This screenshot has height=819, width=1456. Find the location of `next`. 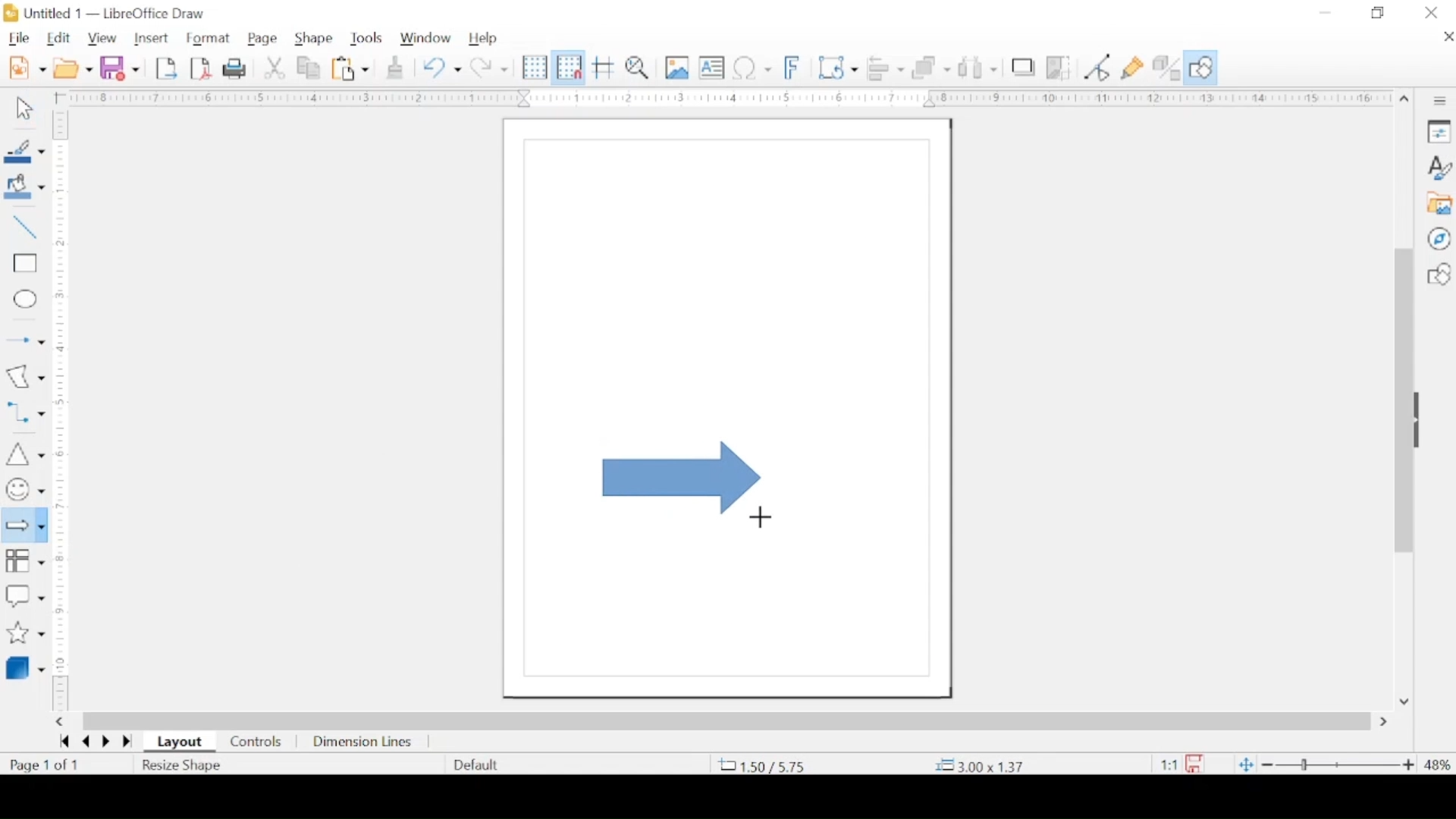

next is located at coordinates (105, 742).